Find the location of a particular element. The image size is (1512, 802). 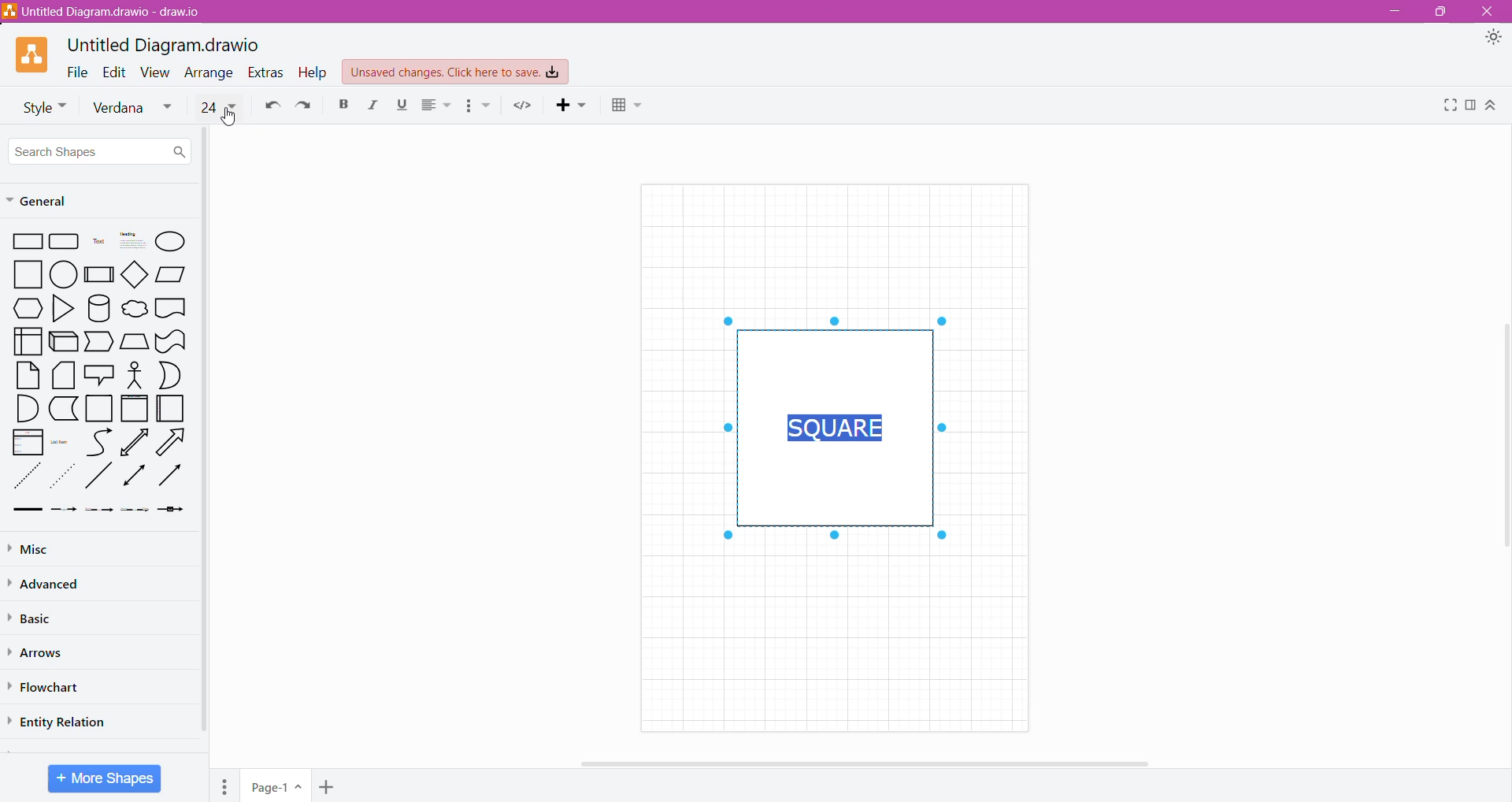

Ellipse is located at coordinates (172, 242).